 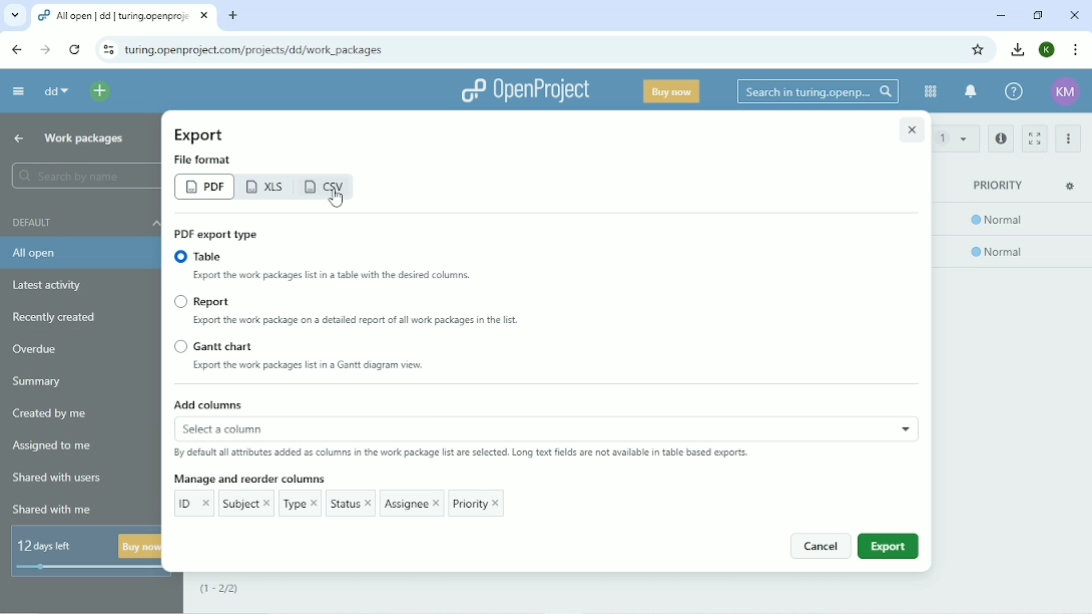 I want to click on New tab, so click(x=232, y=15).